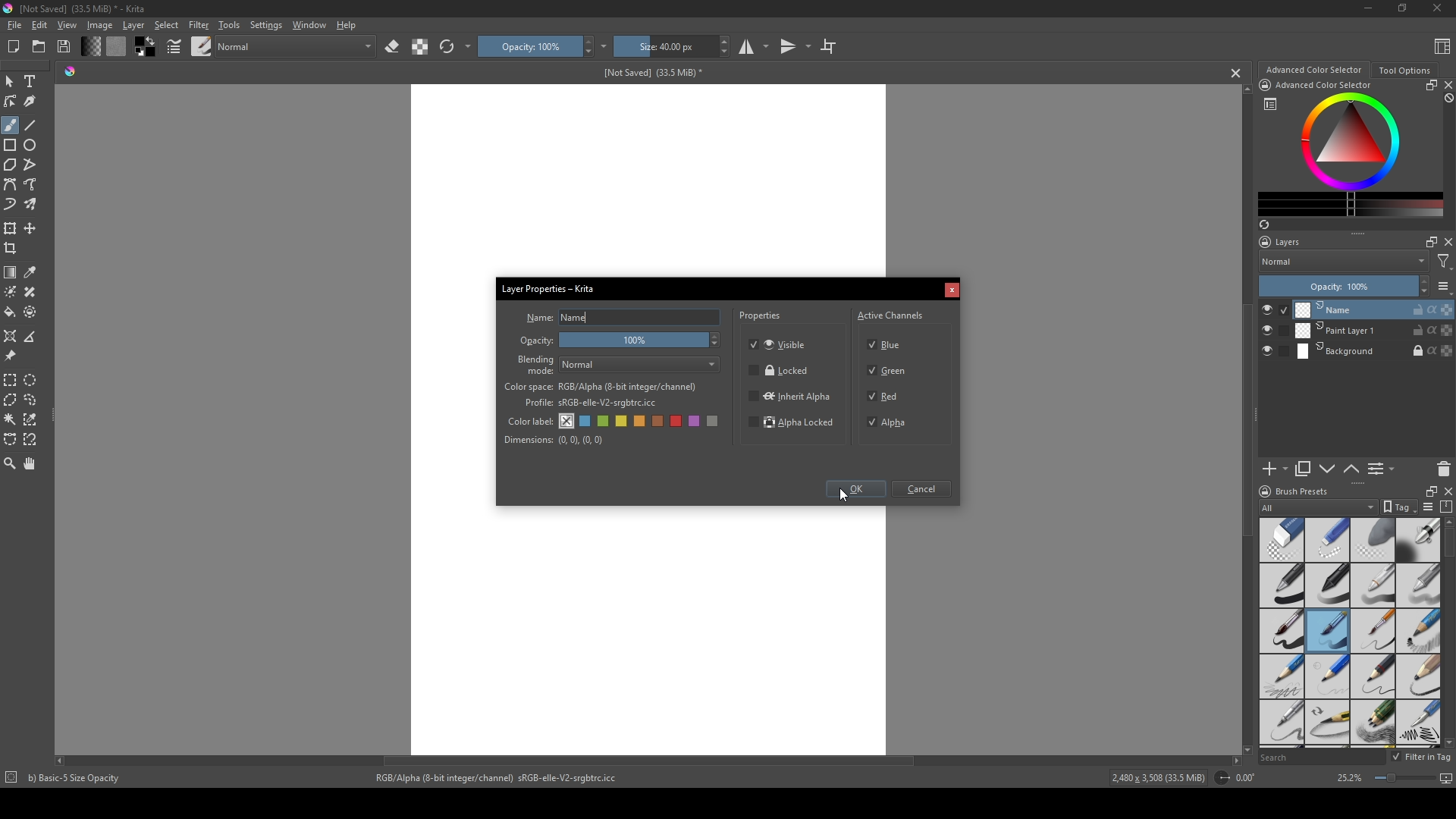 This screenshot has height=819, width=1456. What do you see at coordinates (539, 318) in the screenshot?
I see `Name:` at bounding box center [539, 318].